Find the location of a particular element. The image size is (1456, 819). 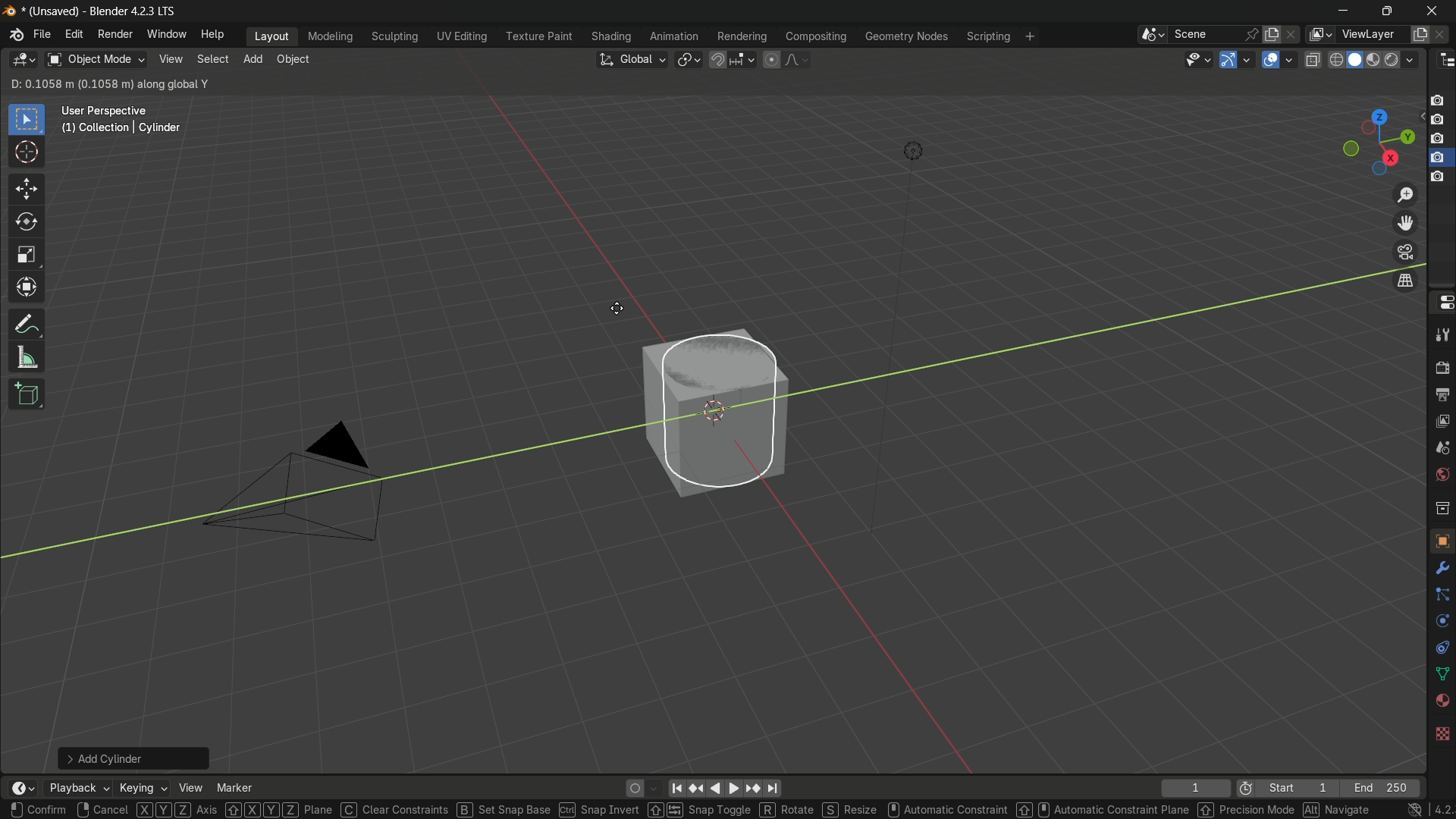

uv editing menu is located at coordinates (463, 37).